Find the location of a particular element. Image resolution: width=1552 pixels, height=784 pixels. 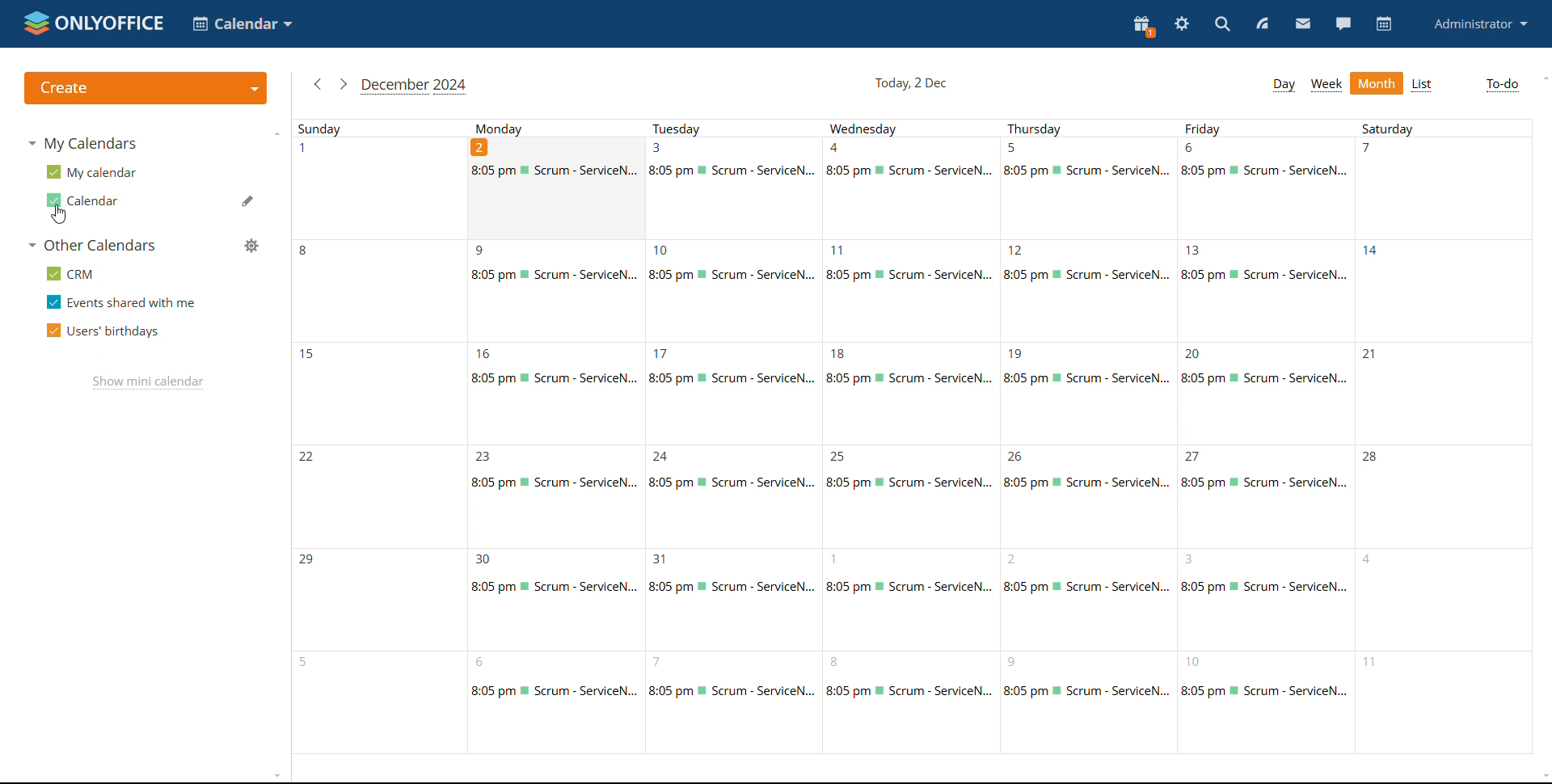

3 is located at coordinates (734, 188).